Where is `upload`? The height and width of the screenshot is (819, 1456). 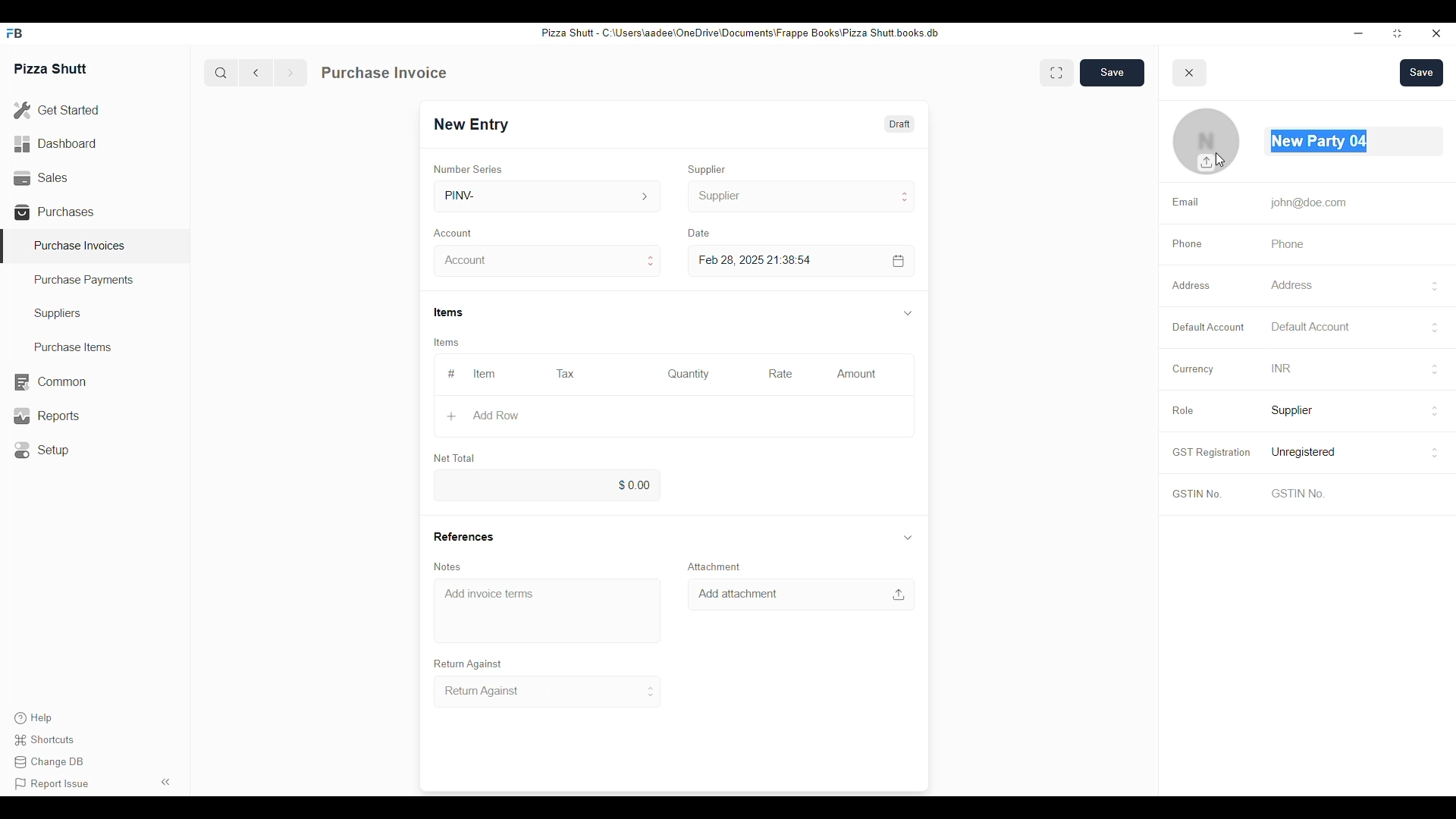 upload is located at coordinates (1206, 163).